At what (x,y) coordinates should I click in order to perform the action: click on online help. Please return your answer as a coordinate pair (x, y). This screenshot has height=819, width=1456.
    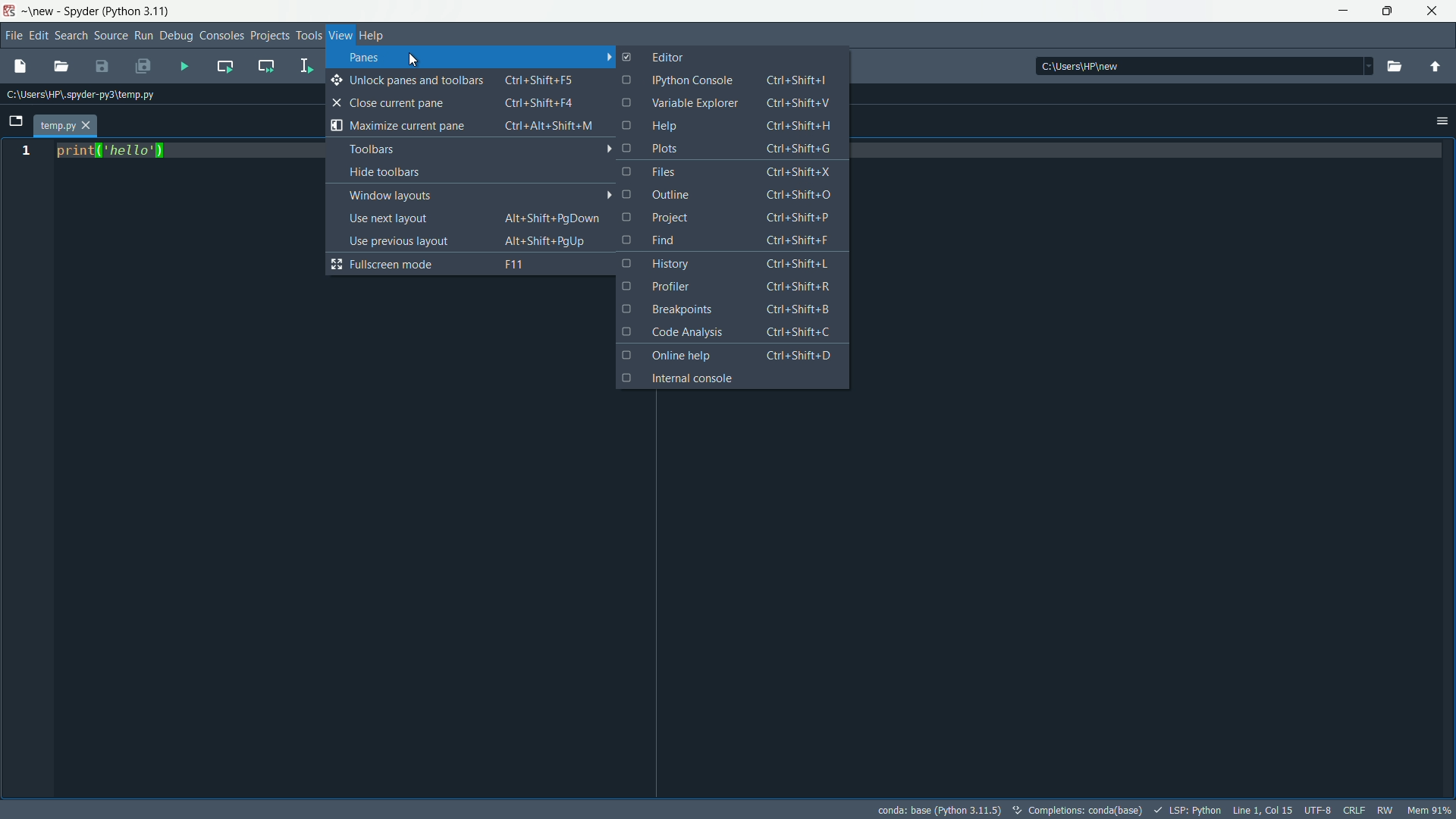
    Looking at the image, I should click on (731, 355).